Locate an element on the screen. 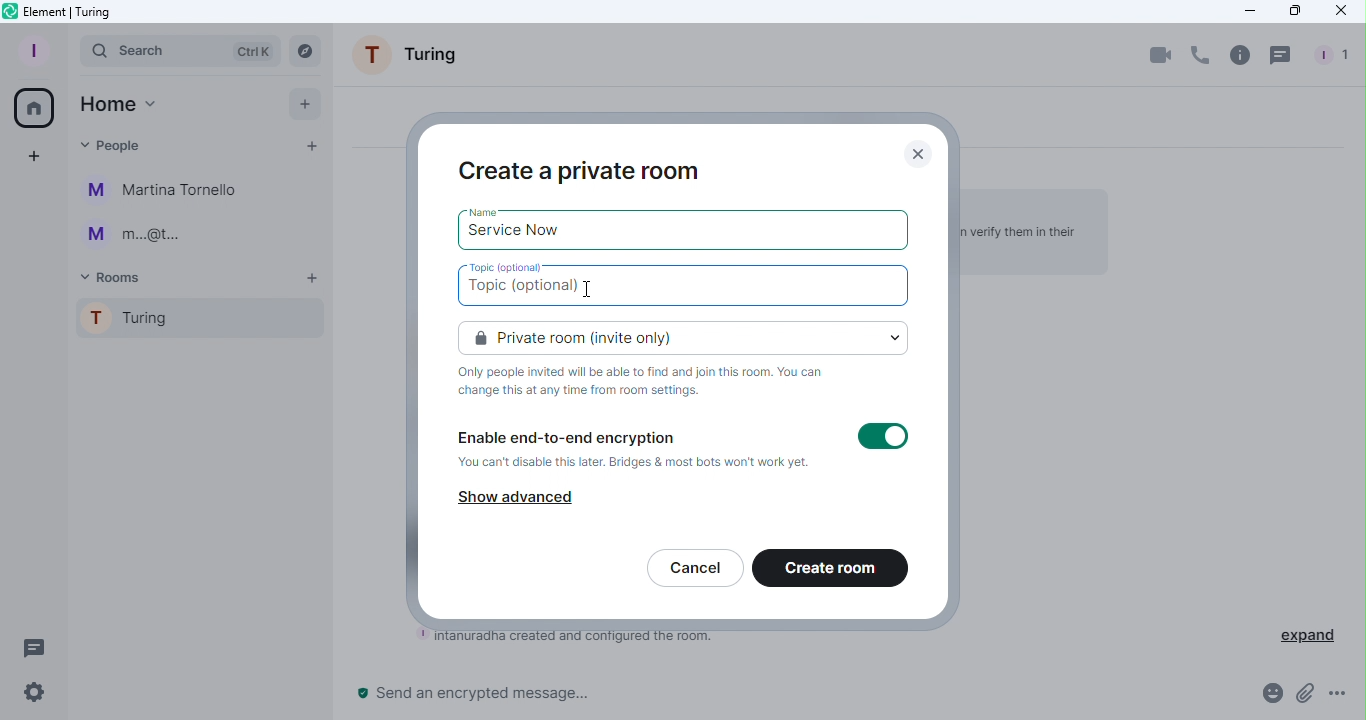  Close is located at coordinates (1341, 14).